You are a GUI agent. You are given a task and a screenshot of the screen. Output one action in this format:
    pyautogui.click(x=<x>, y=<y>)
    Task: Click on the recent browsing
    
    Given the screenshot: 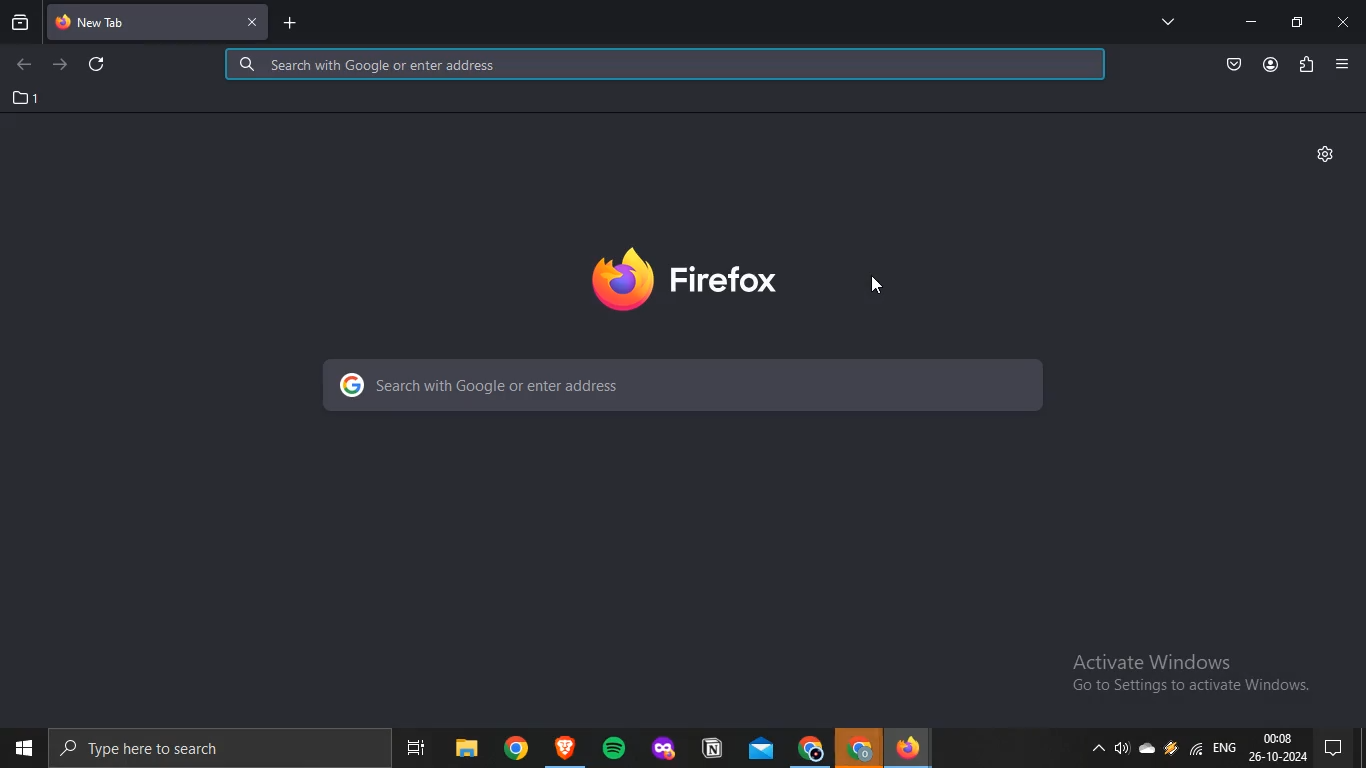 What is the action you would take?
    pyautogui.click(x=19, y=25)
    